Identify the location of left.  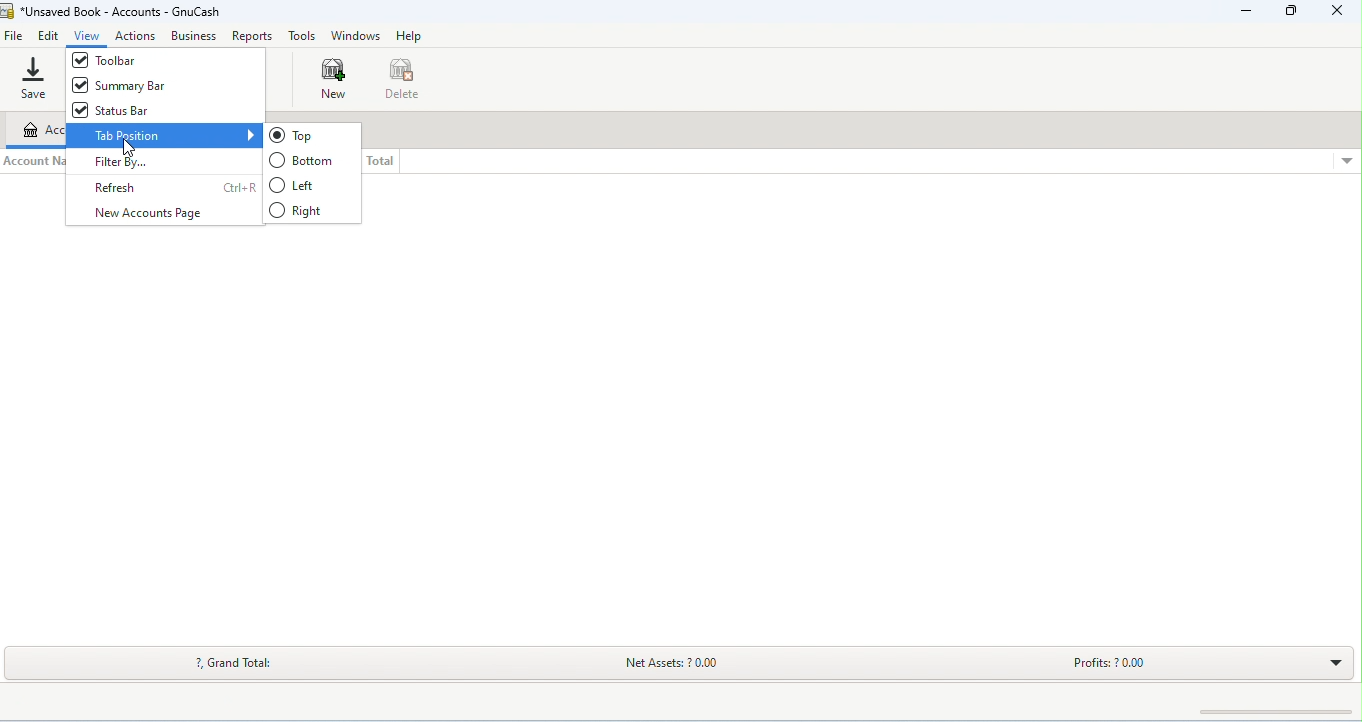
(313, 184).